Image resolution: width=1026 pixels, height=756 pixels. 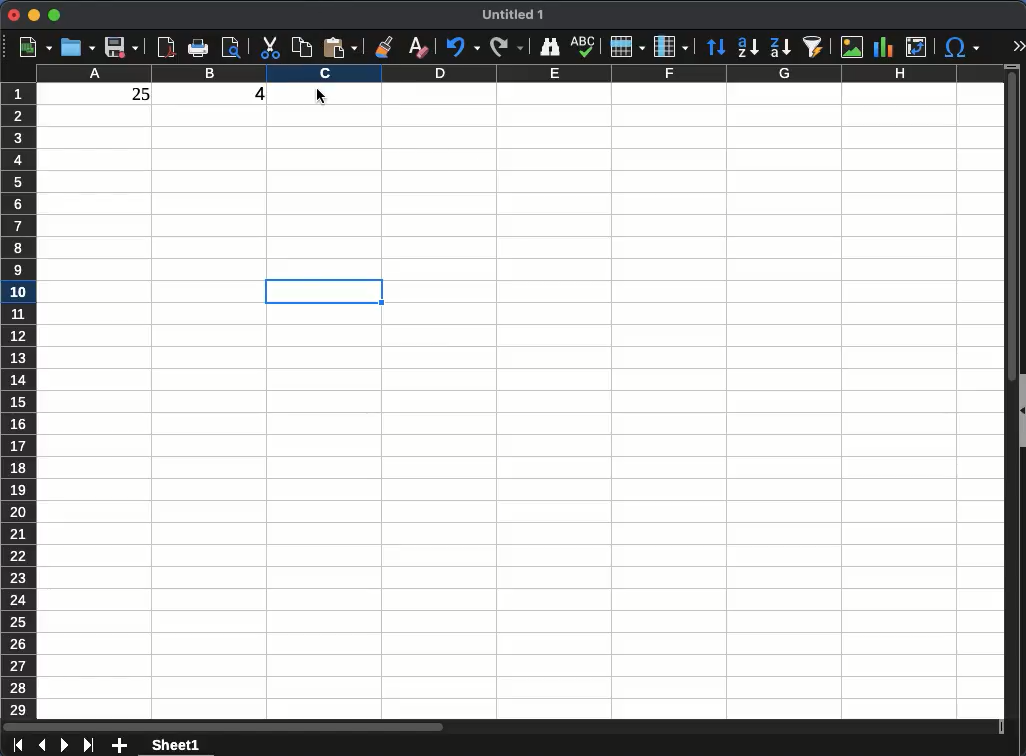 I want to click on close, so click(x=15, y=14).